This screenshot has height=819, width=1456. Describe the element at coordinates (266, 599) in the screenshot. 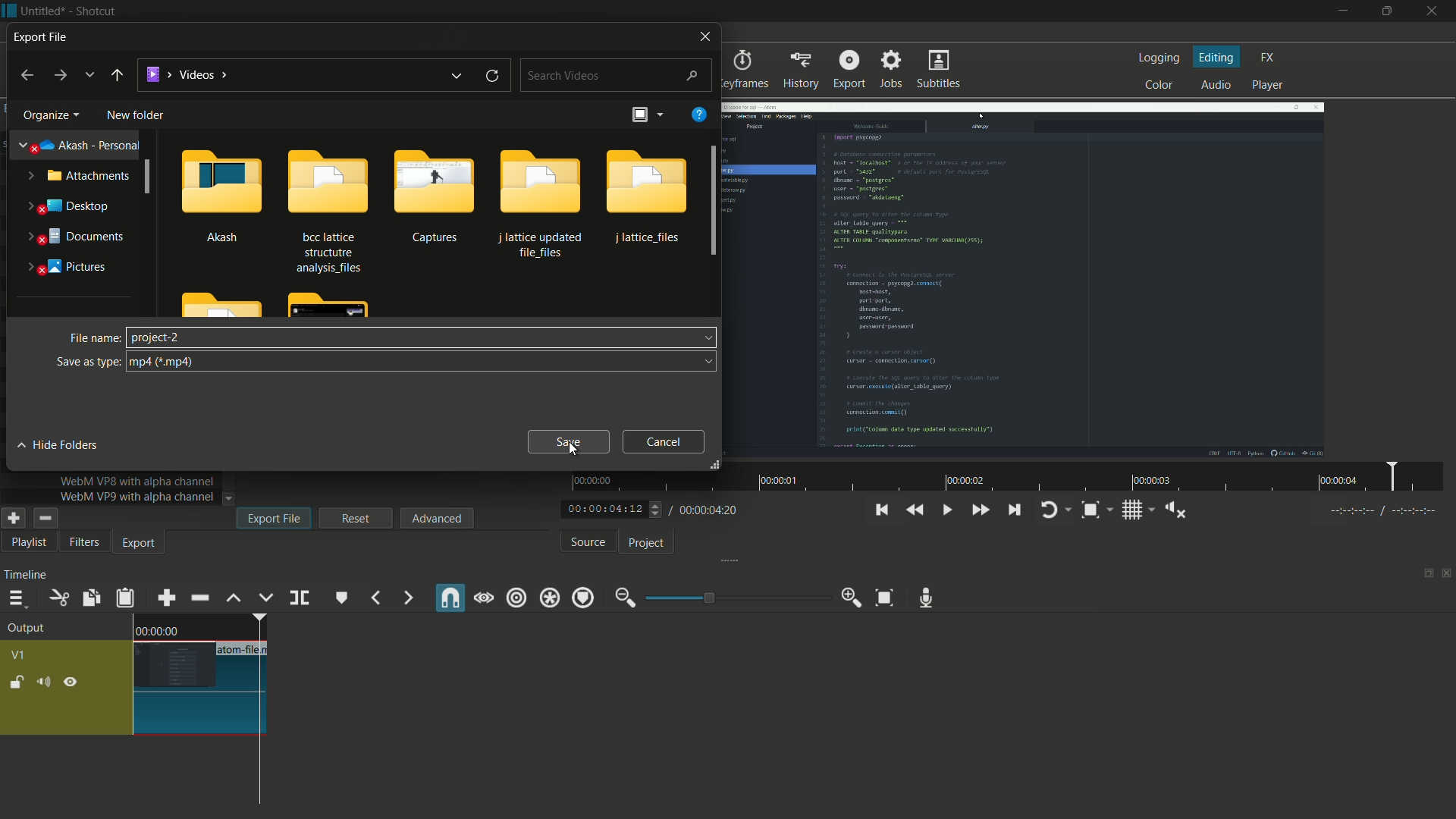

I see `overwrite` at that location.